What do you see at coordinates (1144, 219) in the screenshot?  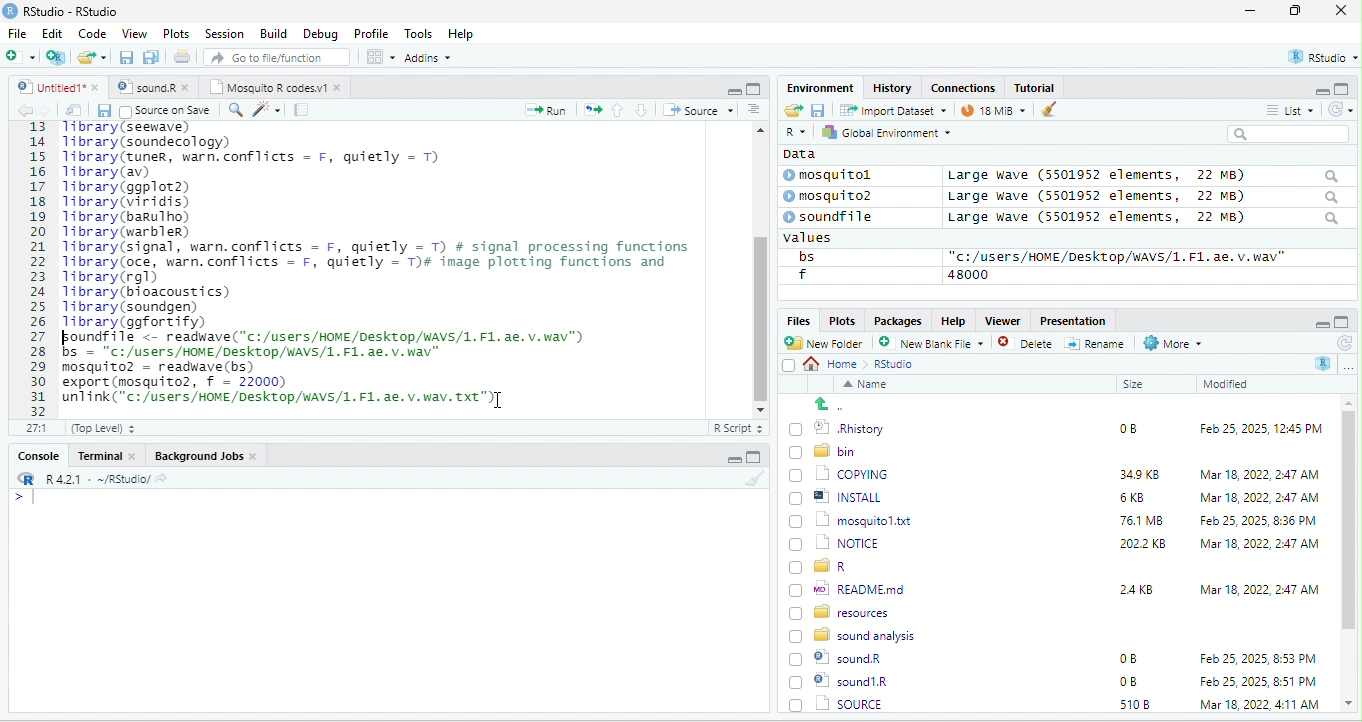 I see `Large wave (5501952 elements, 22 MB)` at bounding box center [1144, 219].